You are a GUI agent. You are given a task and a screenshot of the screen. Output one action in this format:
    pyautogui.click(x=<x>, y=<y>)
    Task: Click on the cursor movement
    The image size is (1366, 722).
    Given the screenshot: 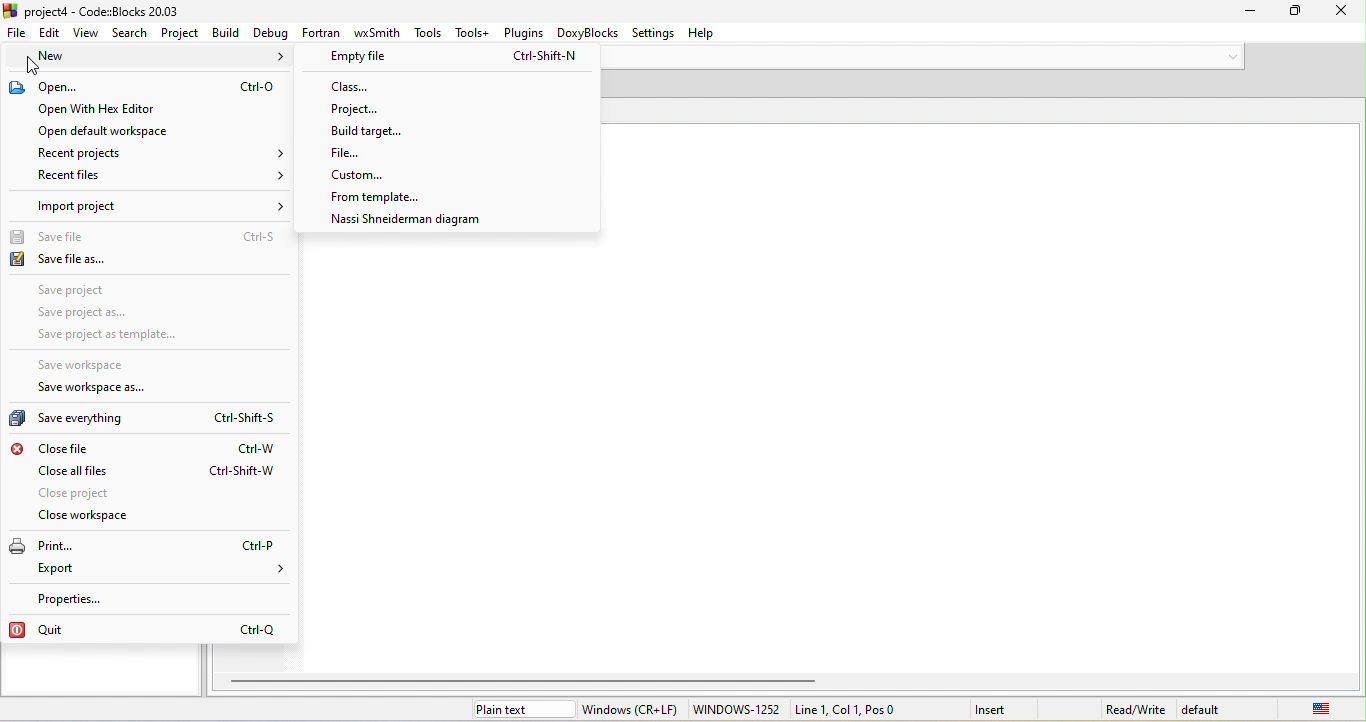 What is the action you would take?
    pyautogui.click(x=30, y=67)
    